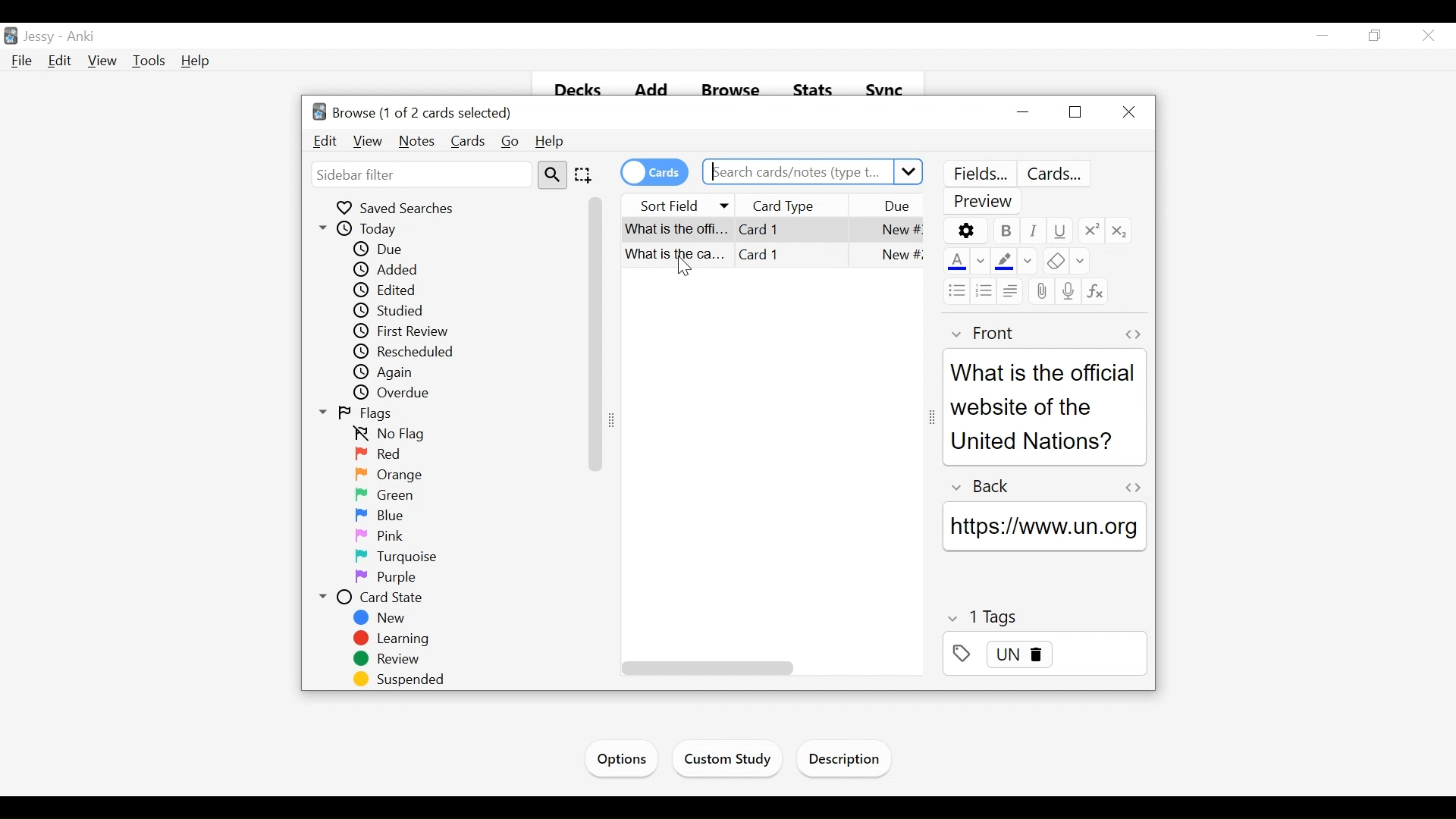 This screenshot has width=1456, height=819. Describe the element at coordinates (979, 174) in the screenshot. I see `Customize Fiel` at that location.